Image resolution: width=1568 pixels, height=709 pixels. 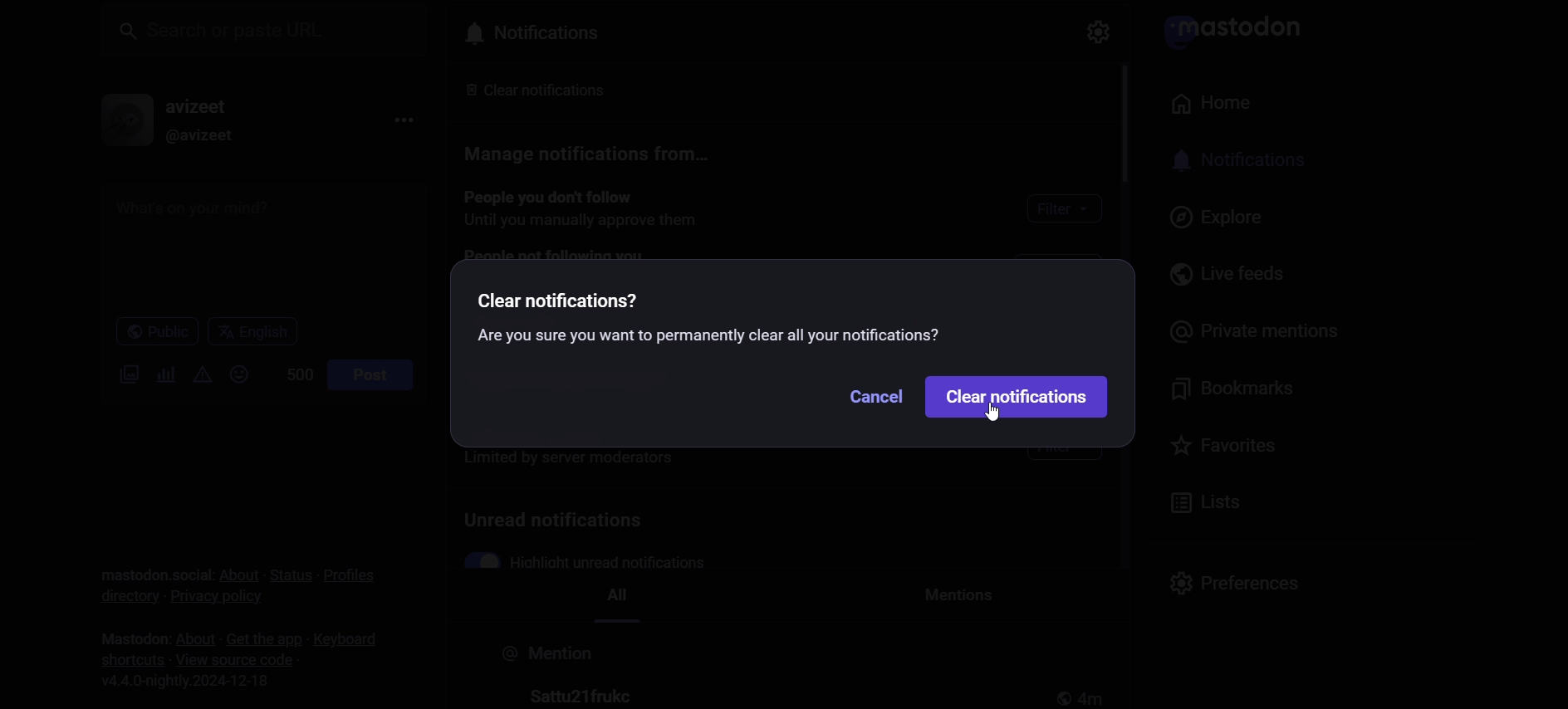 What do you see at coordinates (715, 316) in the screenshot?
I see `Clear notifications?
Are you sure you want to permanently clear all your notifications?` at bounding box center [715, 316].